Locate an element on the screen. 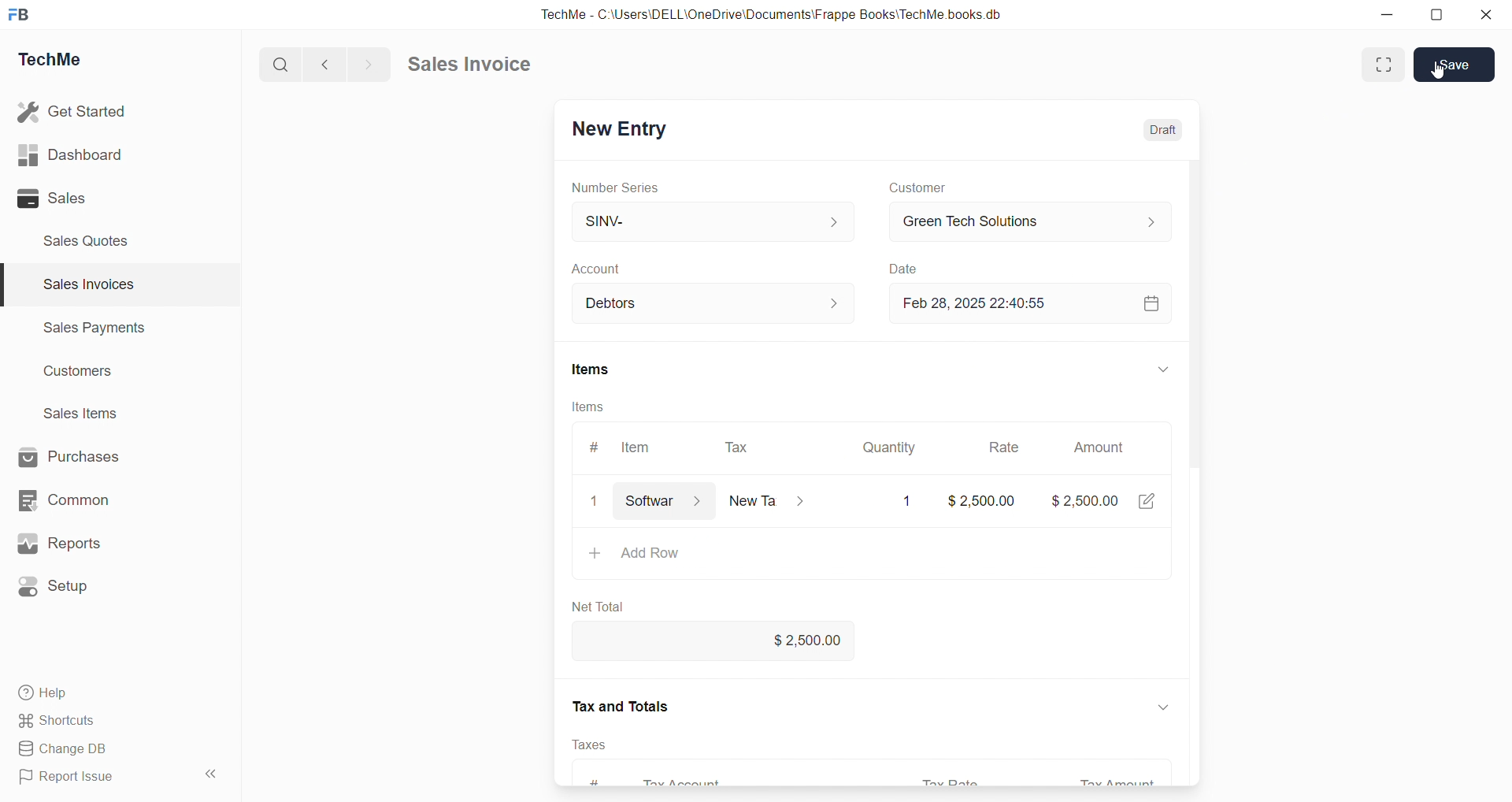  $2,500.00 is located at coordinates (715, 639).